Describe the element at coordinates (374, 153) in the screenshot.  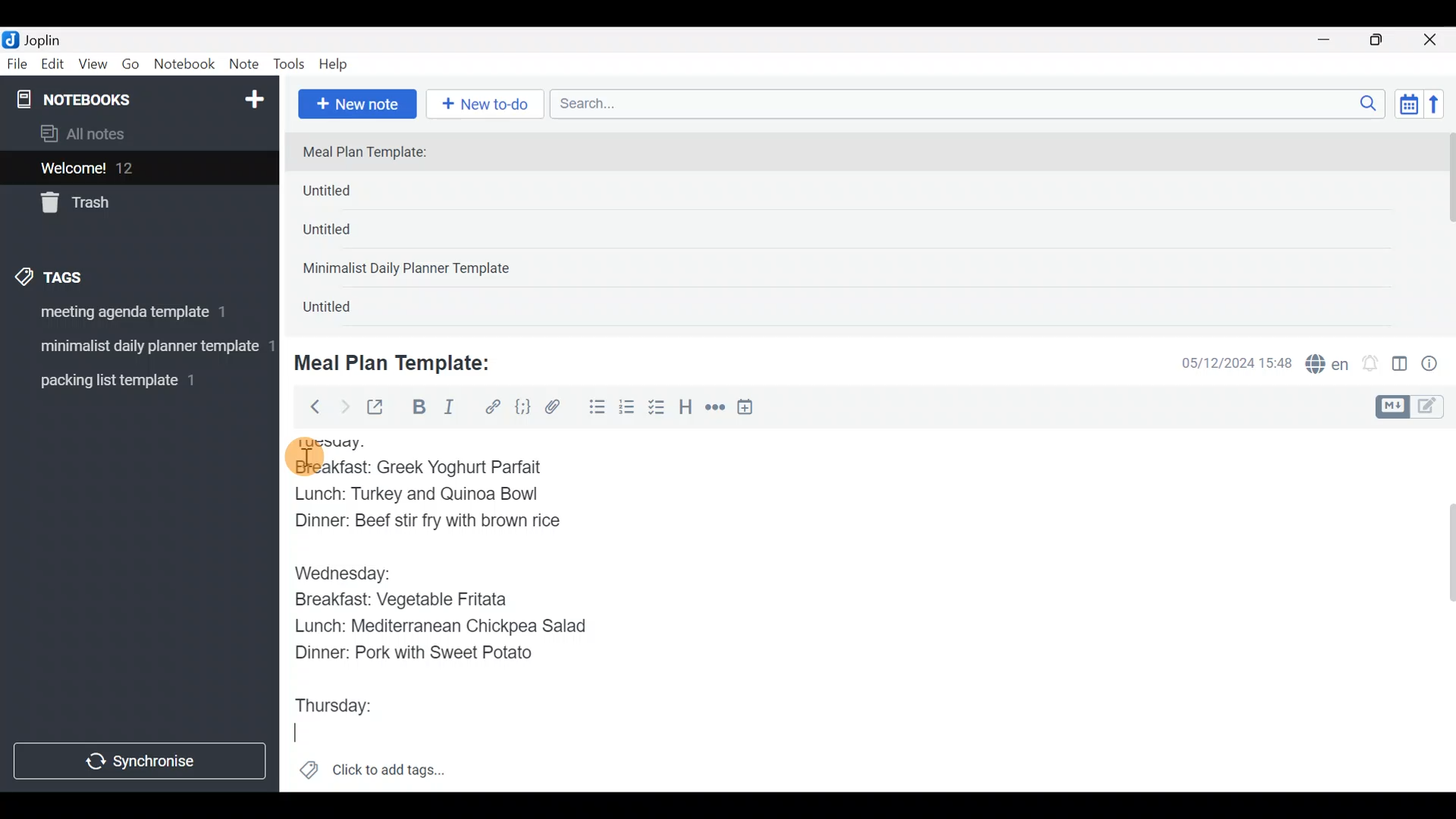
I see `Meal Plan Template:` at that location.